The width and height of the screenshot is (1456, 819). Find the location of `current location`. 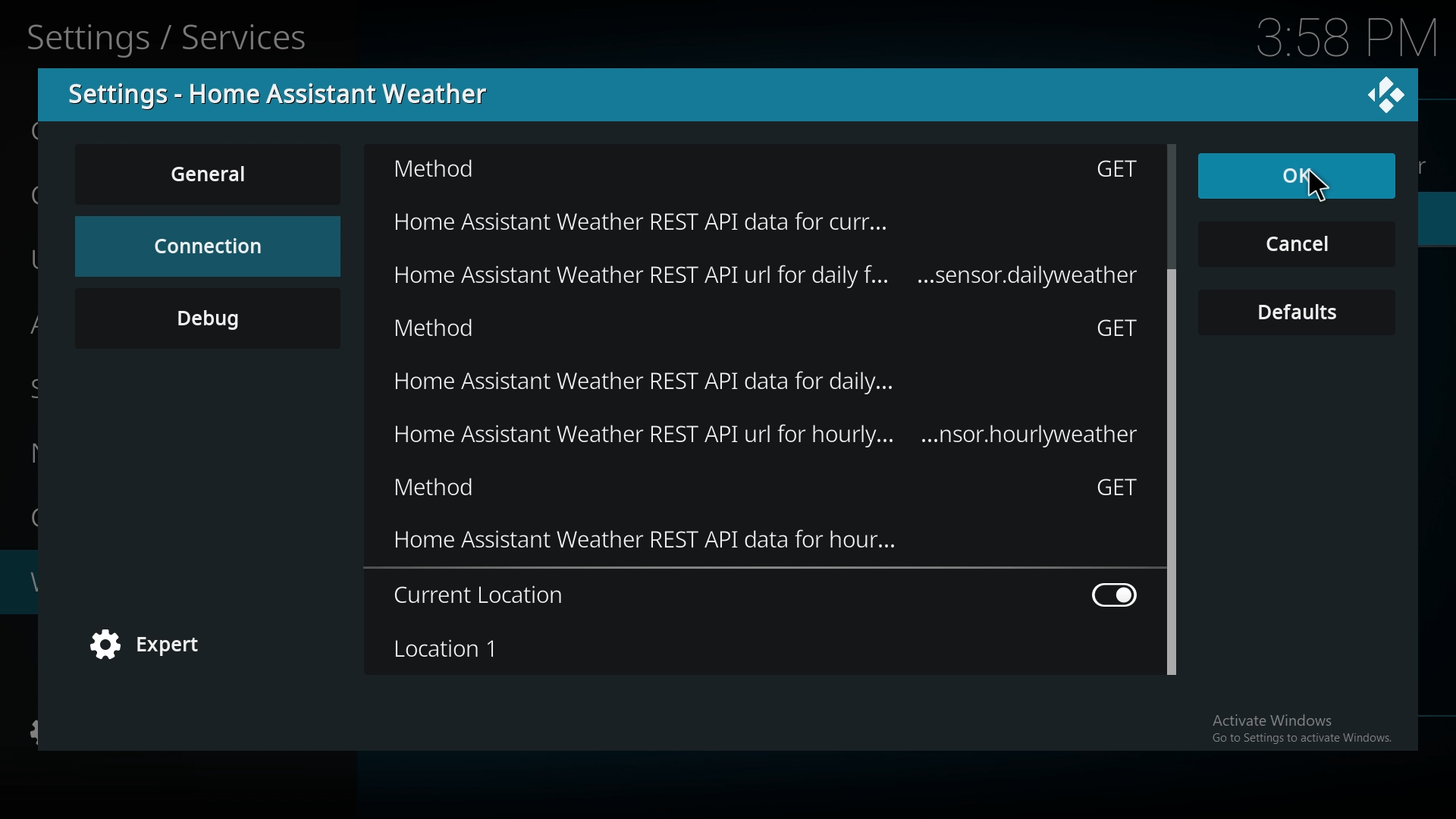

current location is located at coordinates (769, 595).